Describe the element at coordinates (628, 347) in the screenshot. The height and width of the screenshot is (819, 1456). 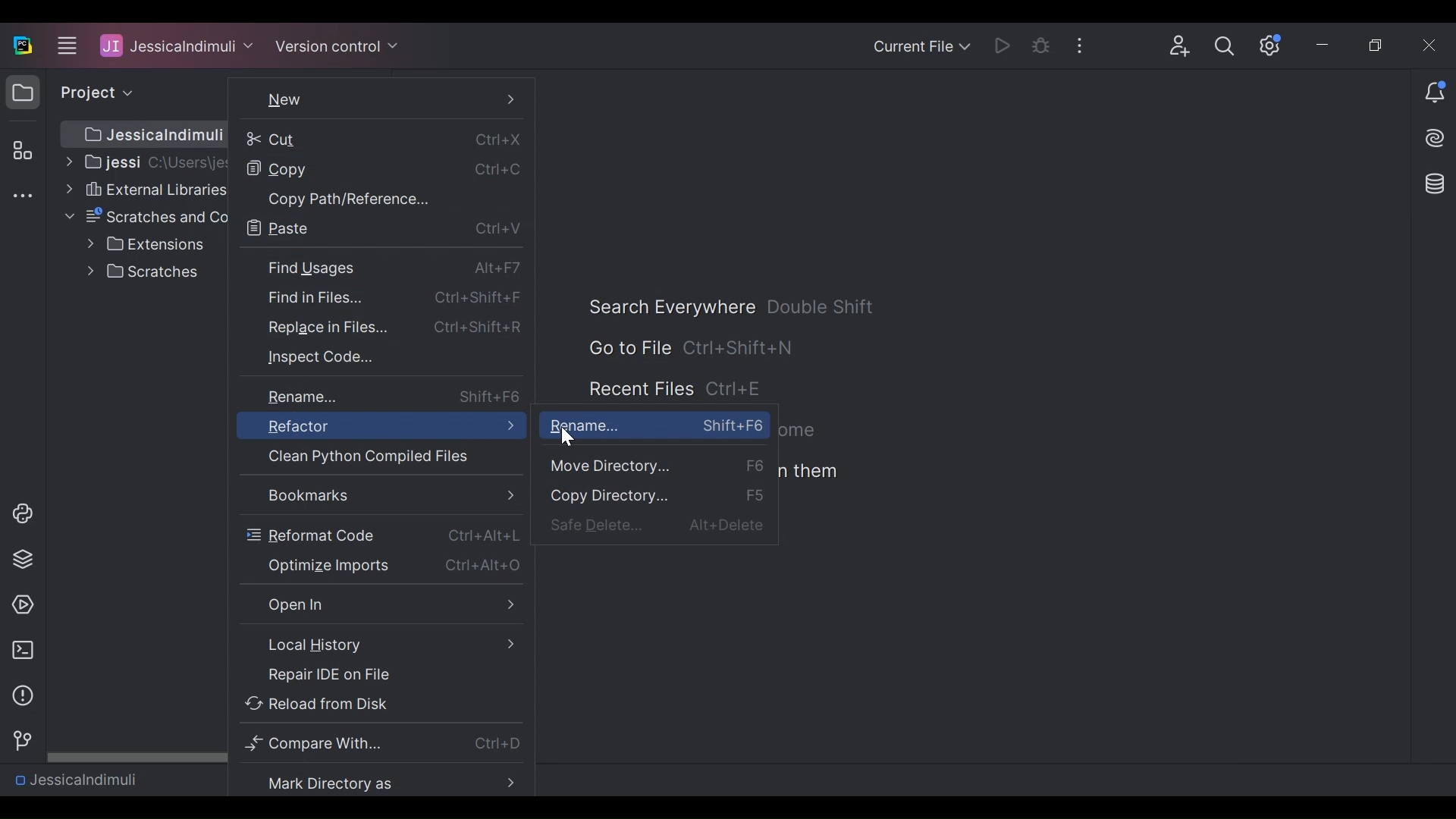
I see `Go To files` at that location.